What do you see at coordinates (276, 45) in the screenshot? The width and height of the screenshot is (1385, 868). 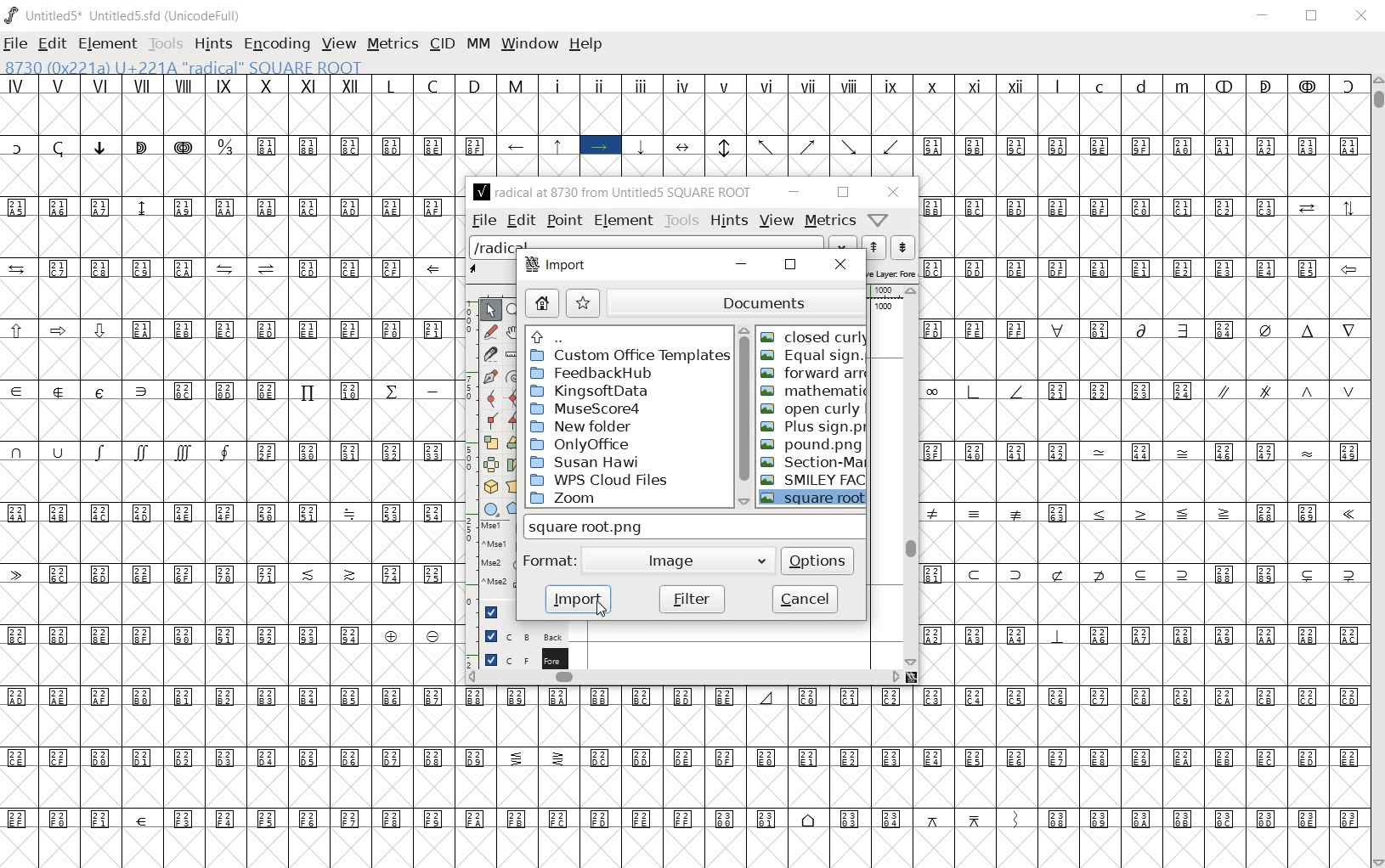 I see `ENCODING` at bounding box center [276, 45].